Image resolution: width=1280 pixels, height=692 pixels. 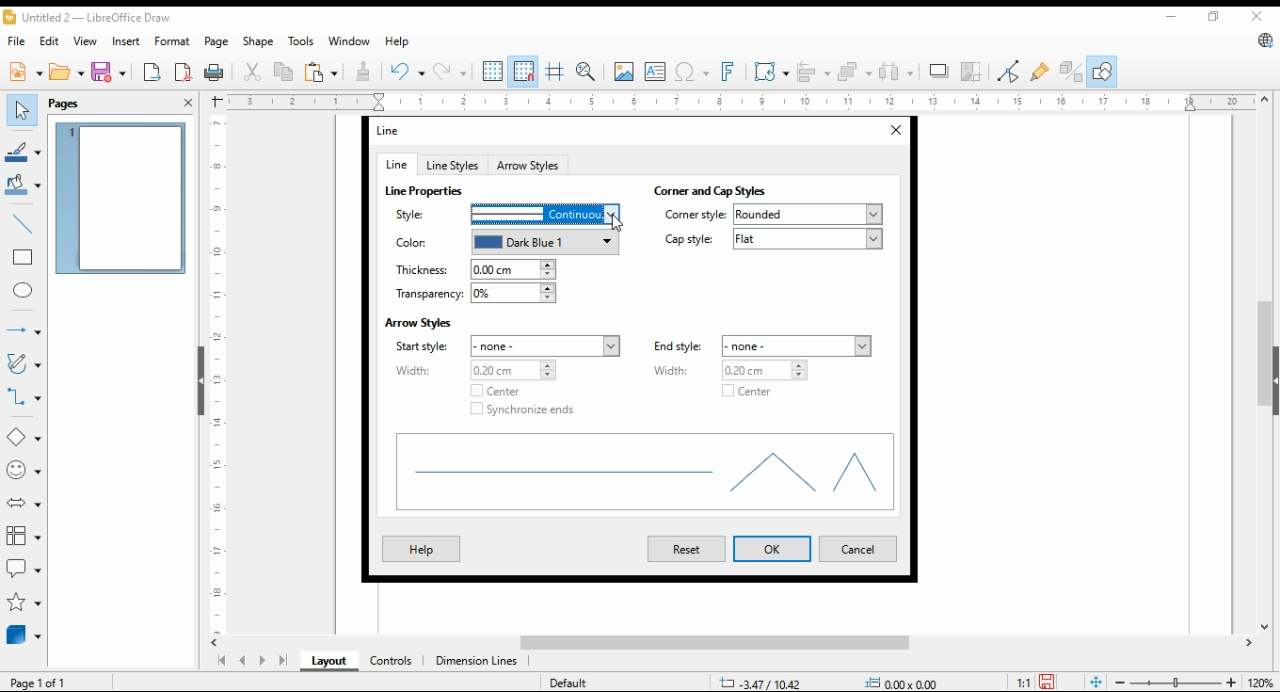 What do you see at coordinates (773, 214) in the screenshot?
I see `corner style` at bounding box center [773, 214].